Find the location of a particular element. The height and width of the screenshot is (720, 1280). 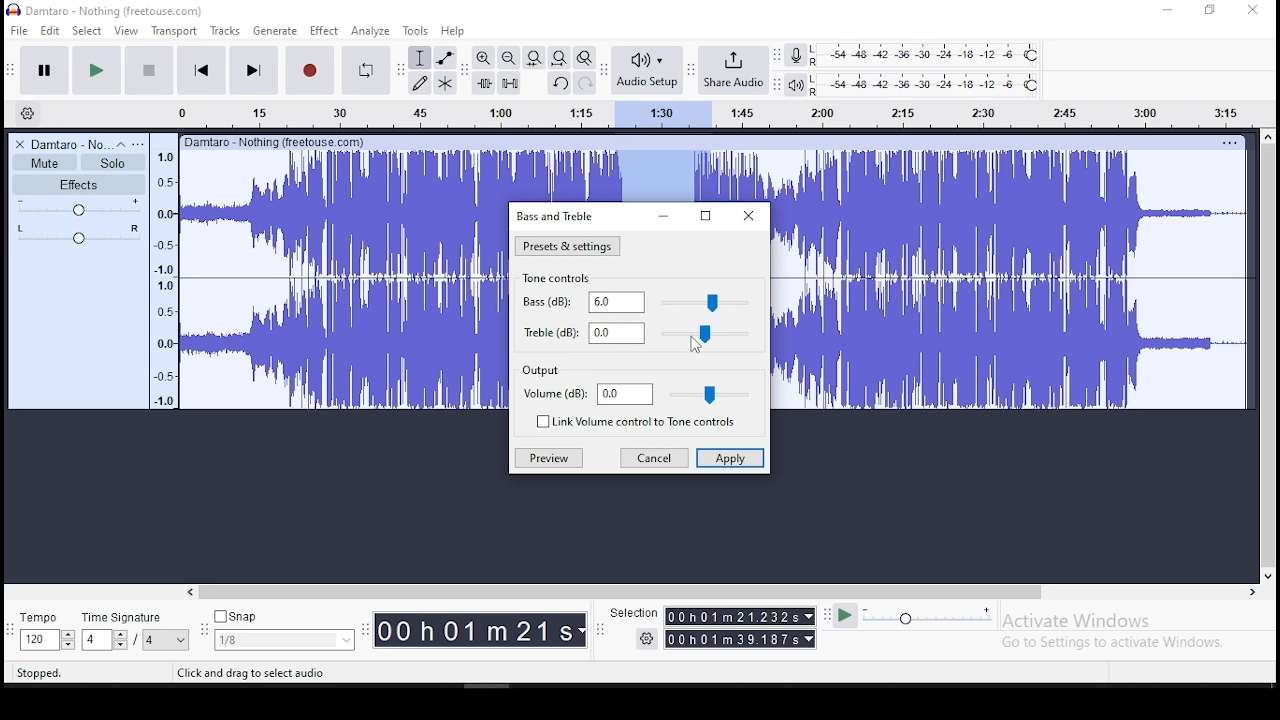

tempo is located at coordinates (44, 619).